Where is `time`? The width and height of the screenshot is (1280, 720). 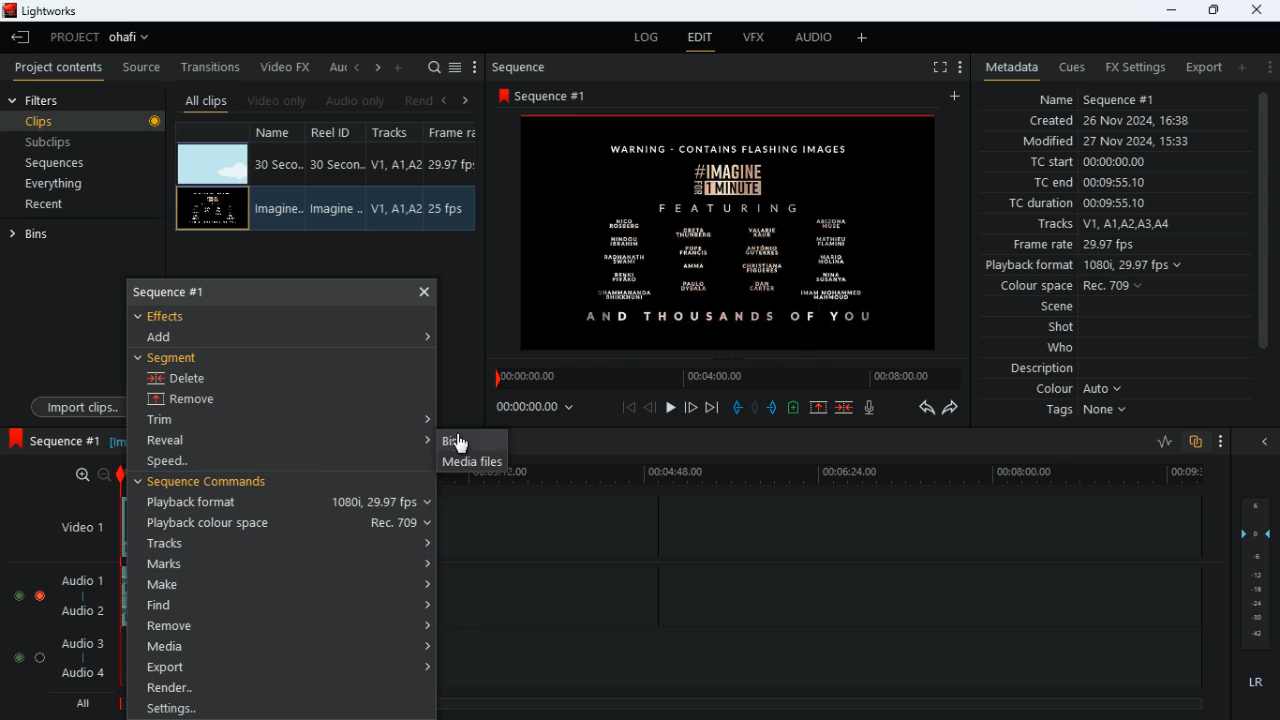
time is located at coordinates (539, 408).